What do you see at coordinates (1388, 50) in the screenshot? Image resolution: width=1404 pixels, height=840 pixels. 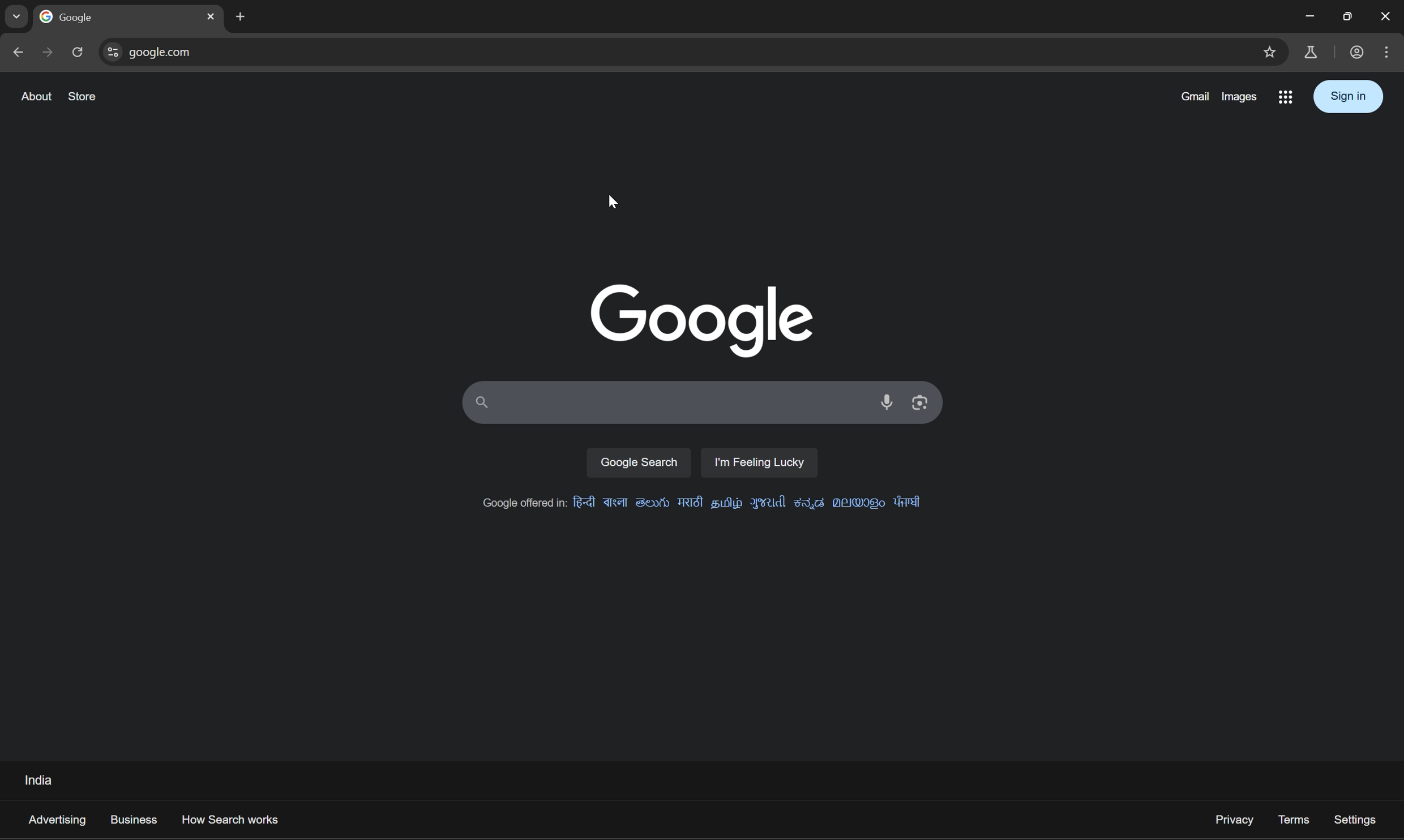 I see `customize and control chromium` at bounding box center [1388, 50].